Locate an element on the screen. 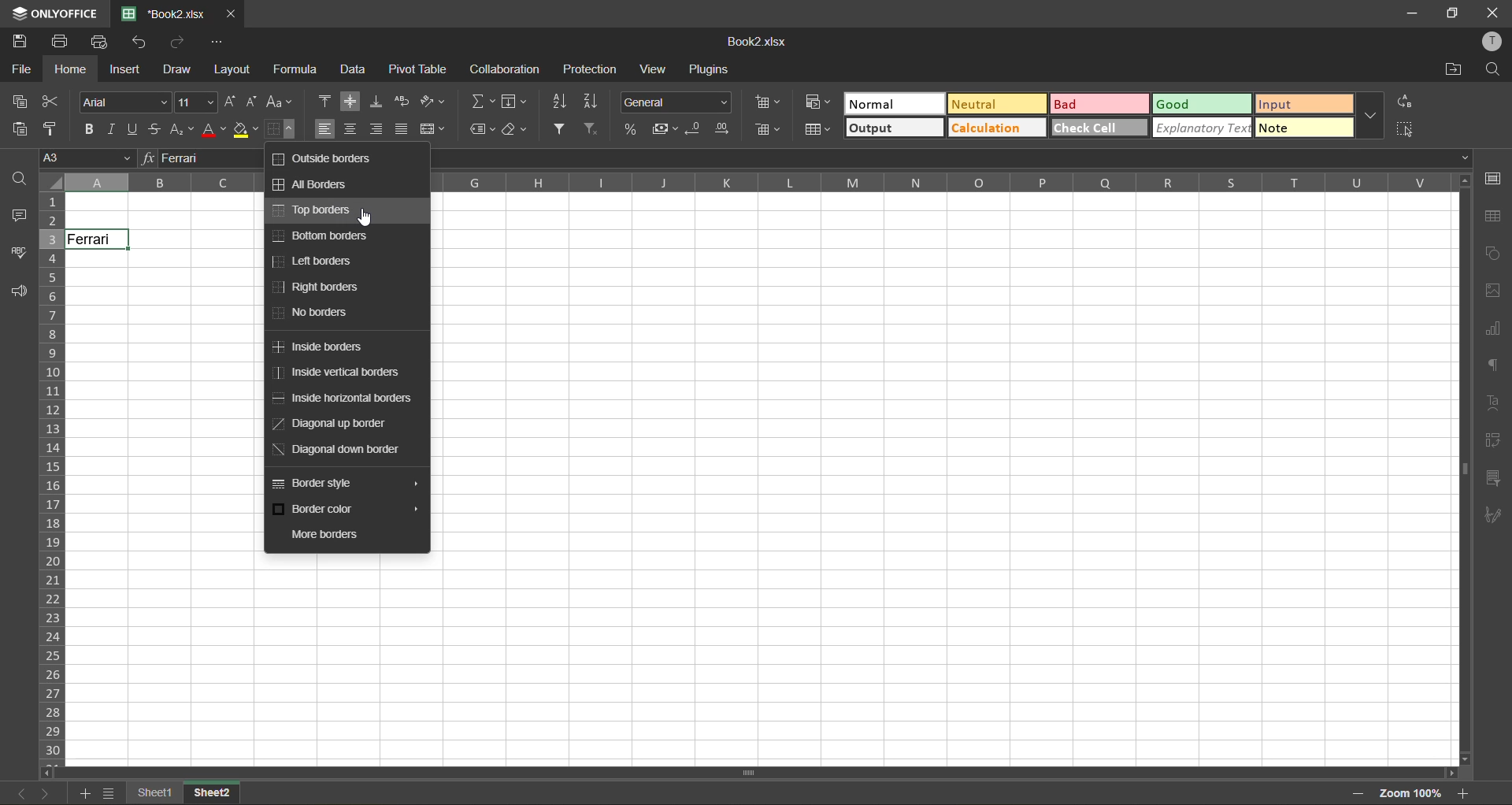  strikethrough is located at coordinates (156, 128).